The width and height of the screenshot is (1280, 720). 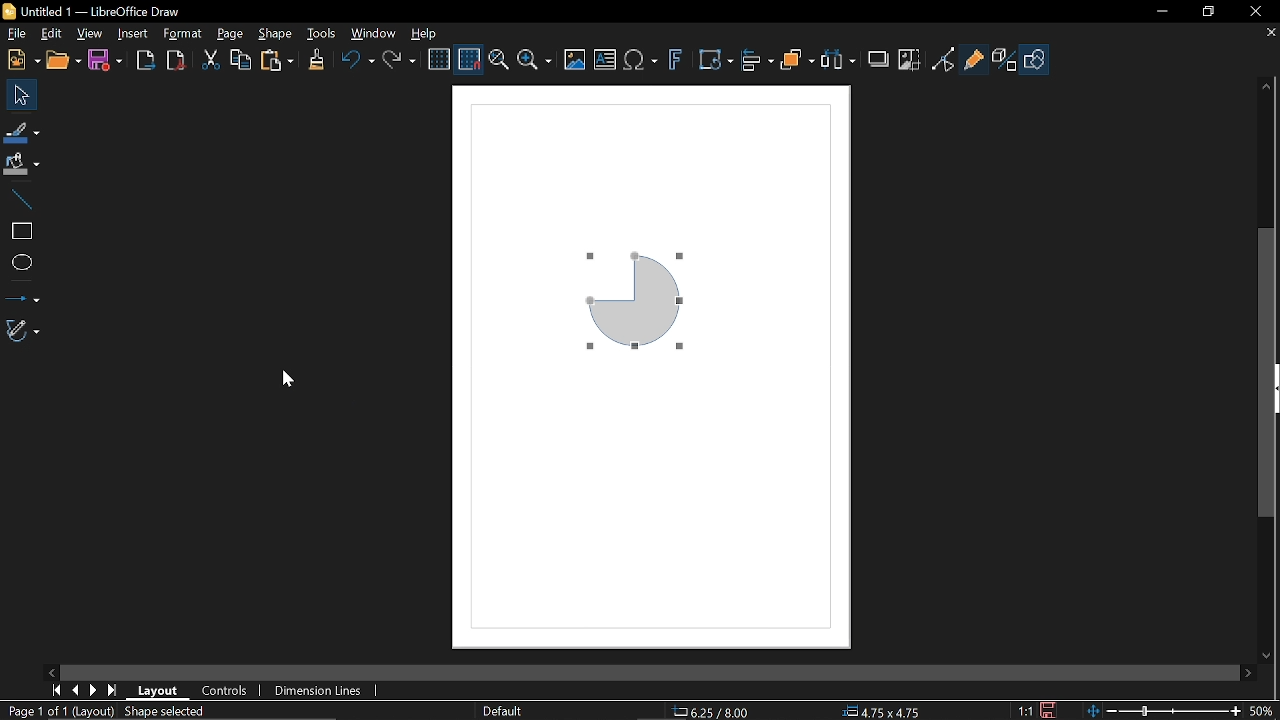 I want to click on Export as pdf, so click(x=175, y=60).